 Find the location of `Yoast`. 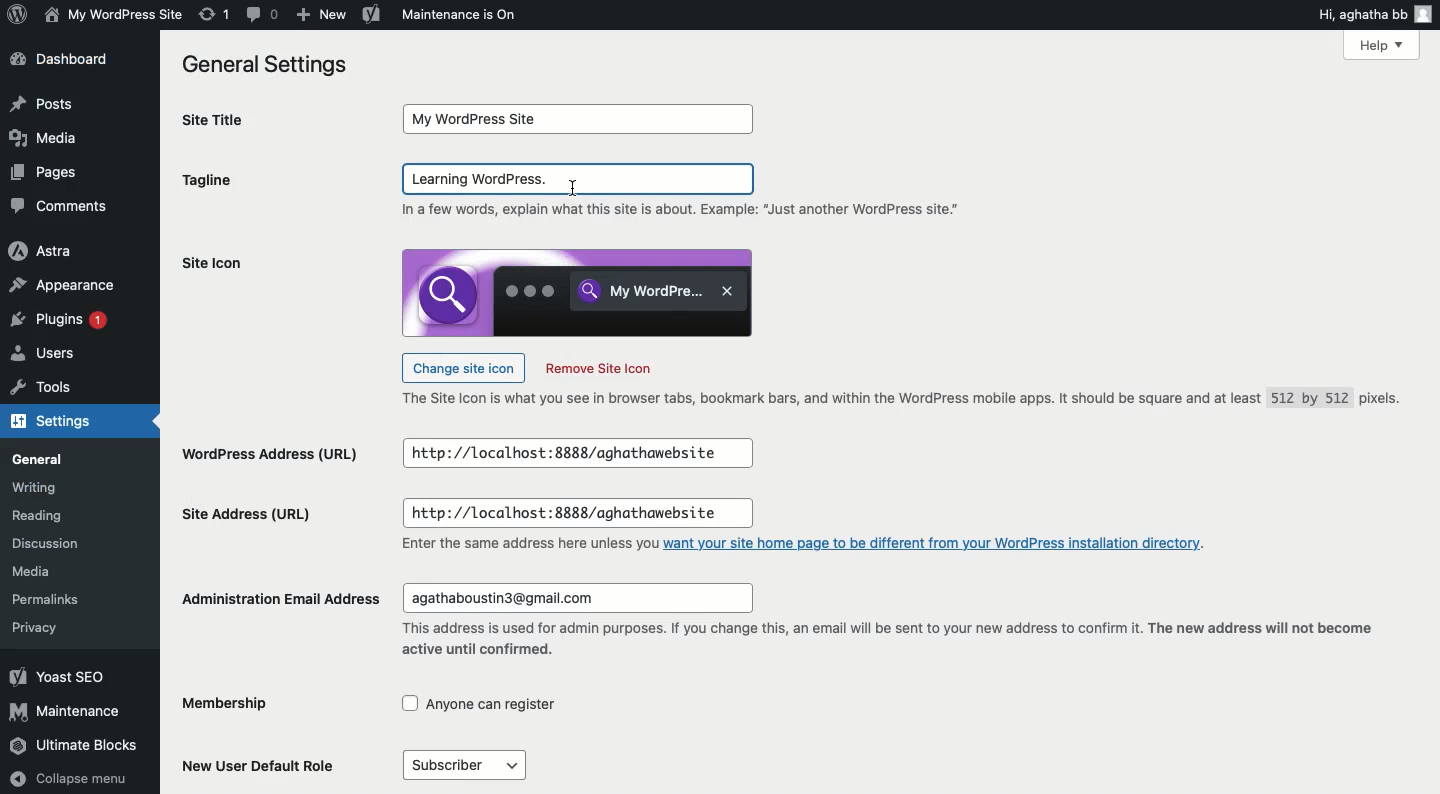

Yoast is located at coordinates (372, 13).